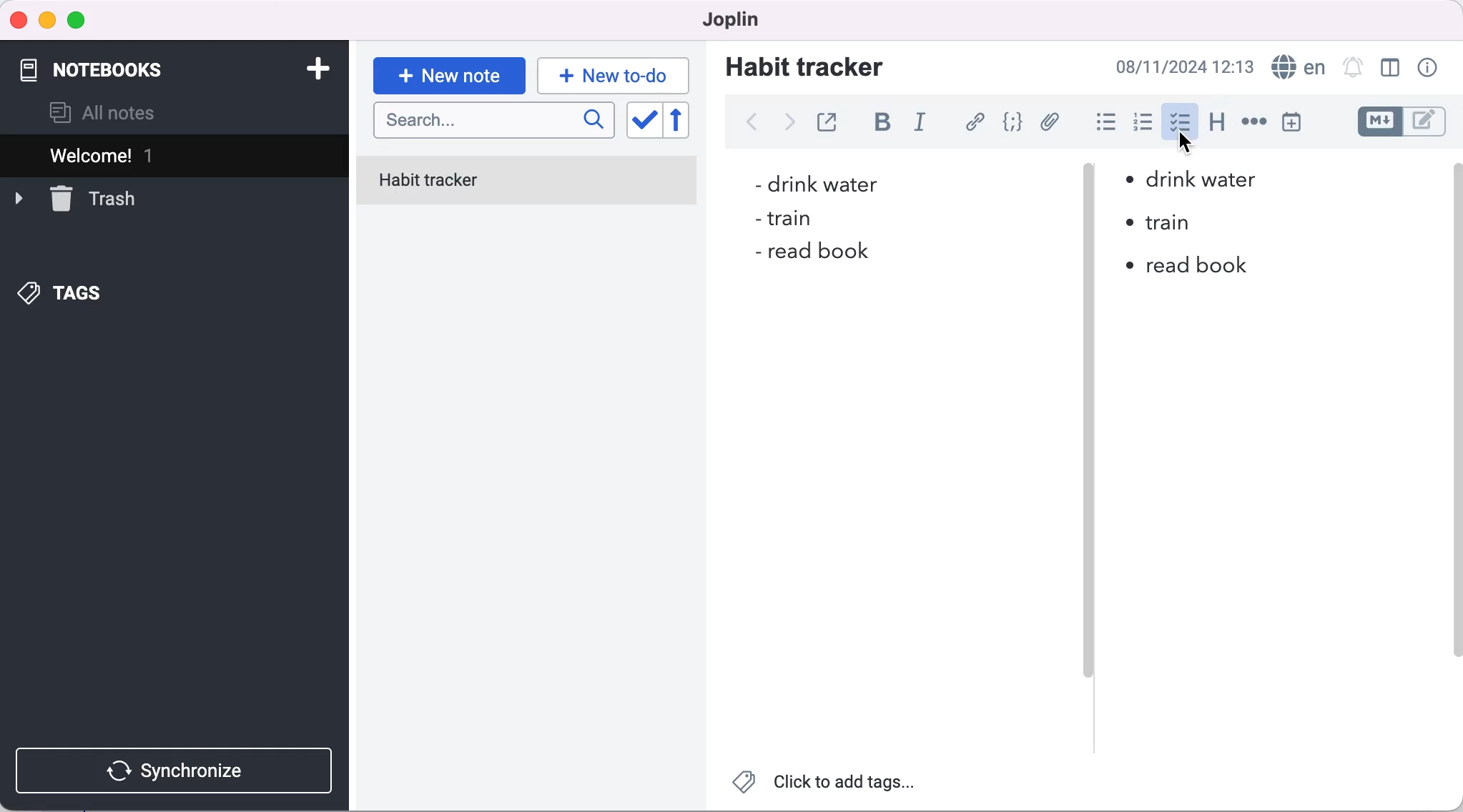 The width and height of the screenshot is (1463, 812). I want to click on language, so click(1296, 67).